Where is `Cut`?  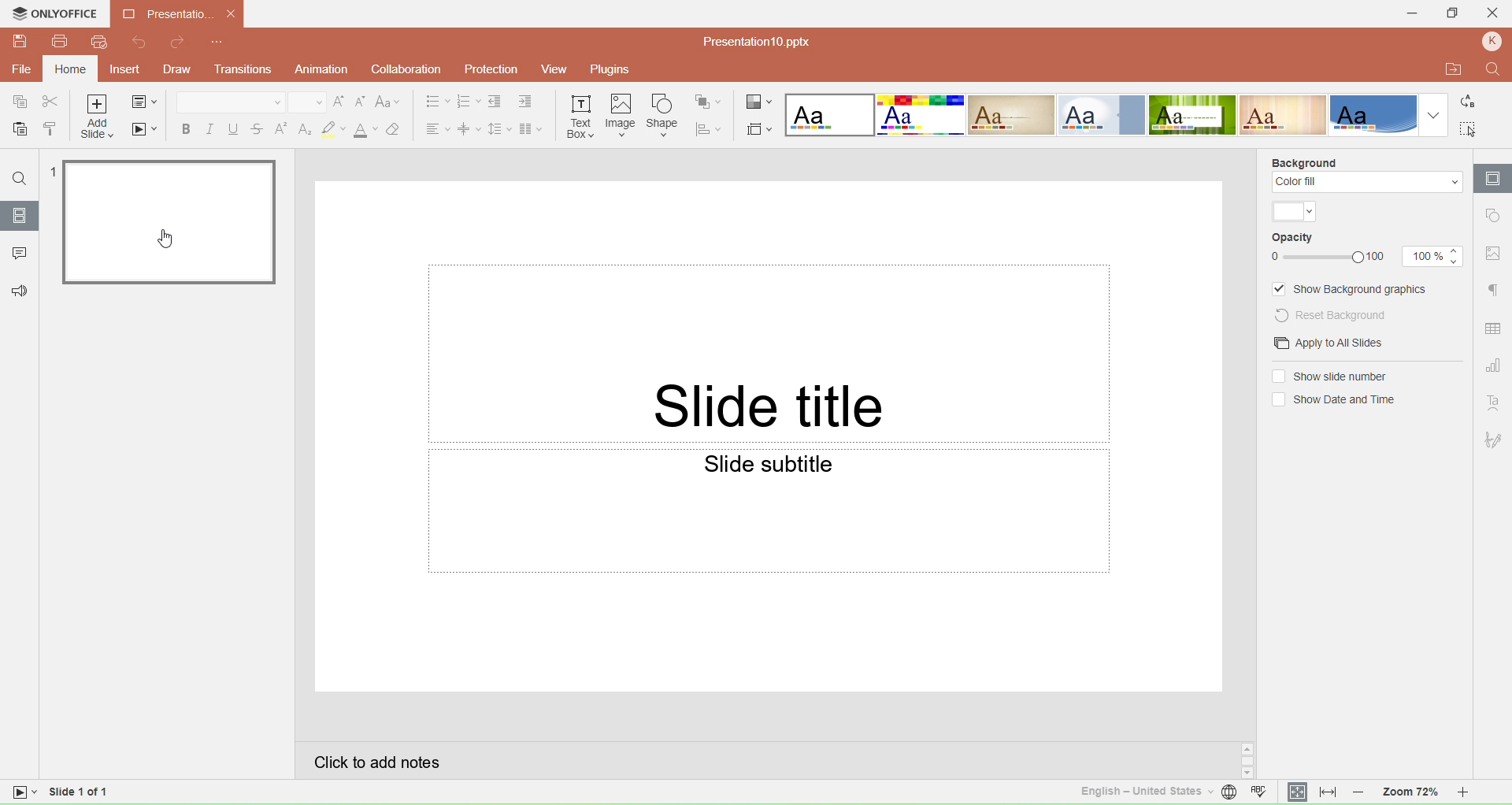 Cut is located at coordinates (51, 102).